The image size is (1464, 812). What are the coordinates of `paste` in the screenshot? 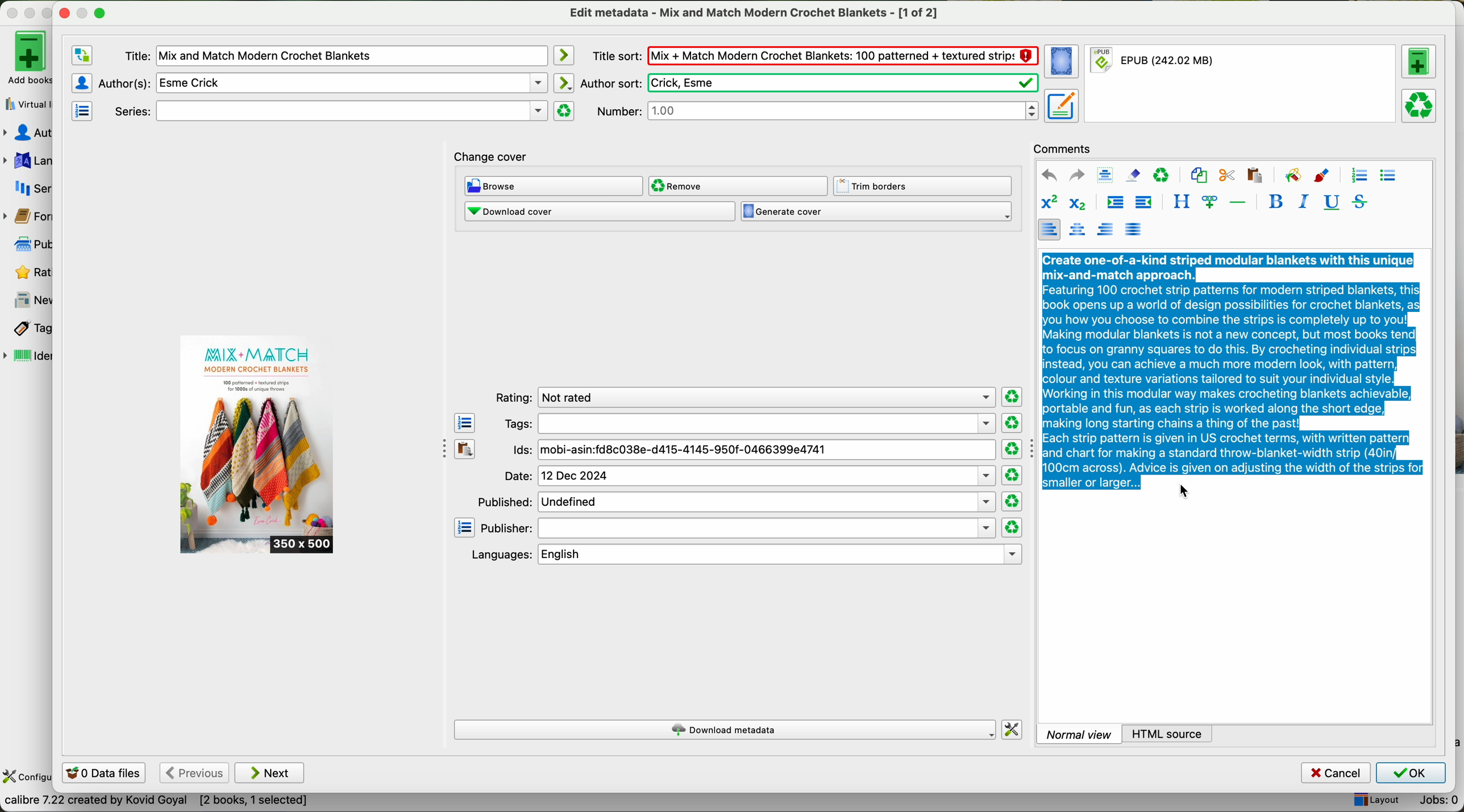 It's located at (1253, 174).